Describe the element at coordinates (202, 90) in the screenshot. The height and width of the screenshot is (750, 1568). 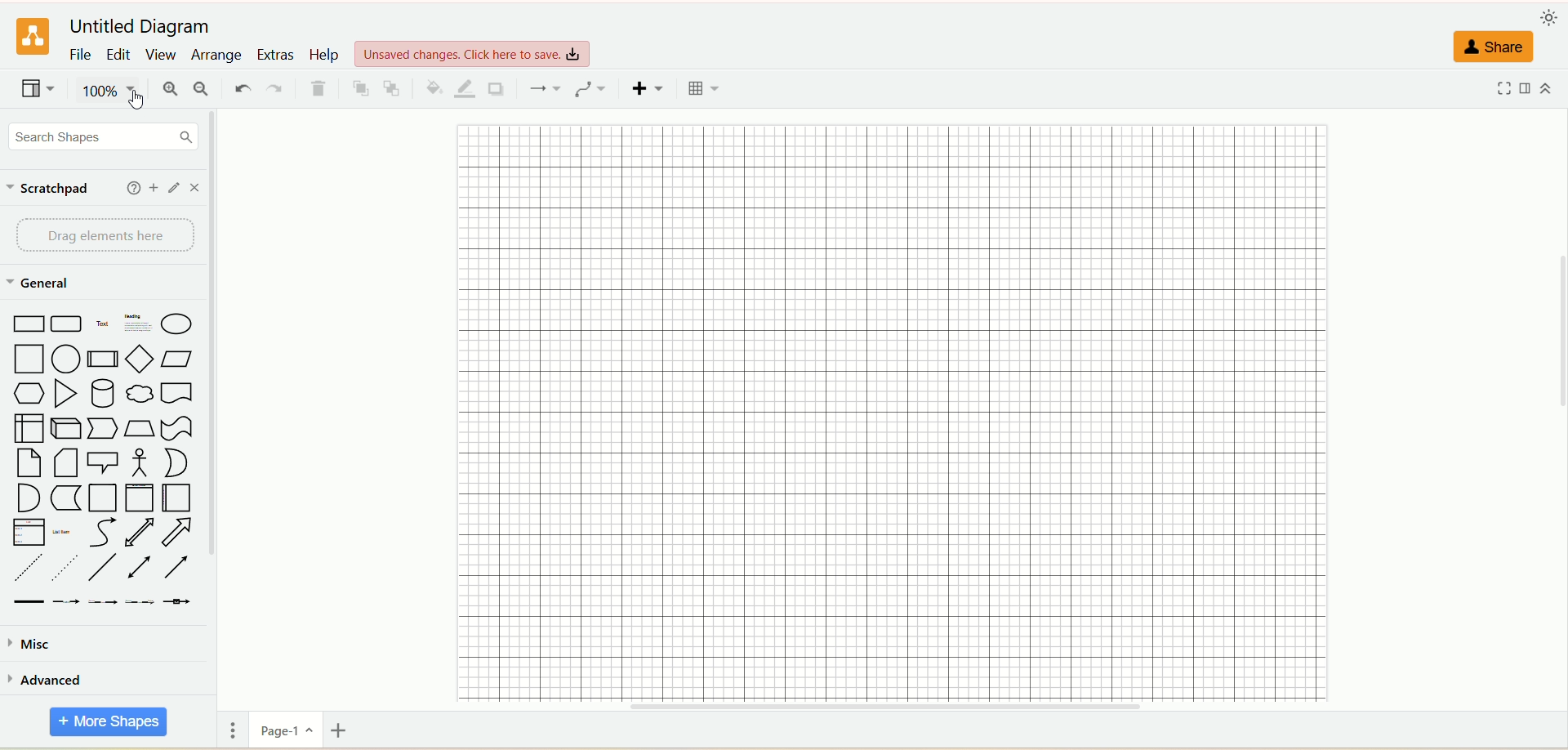
I see `zoom out` at that location.